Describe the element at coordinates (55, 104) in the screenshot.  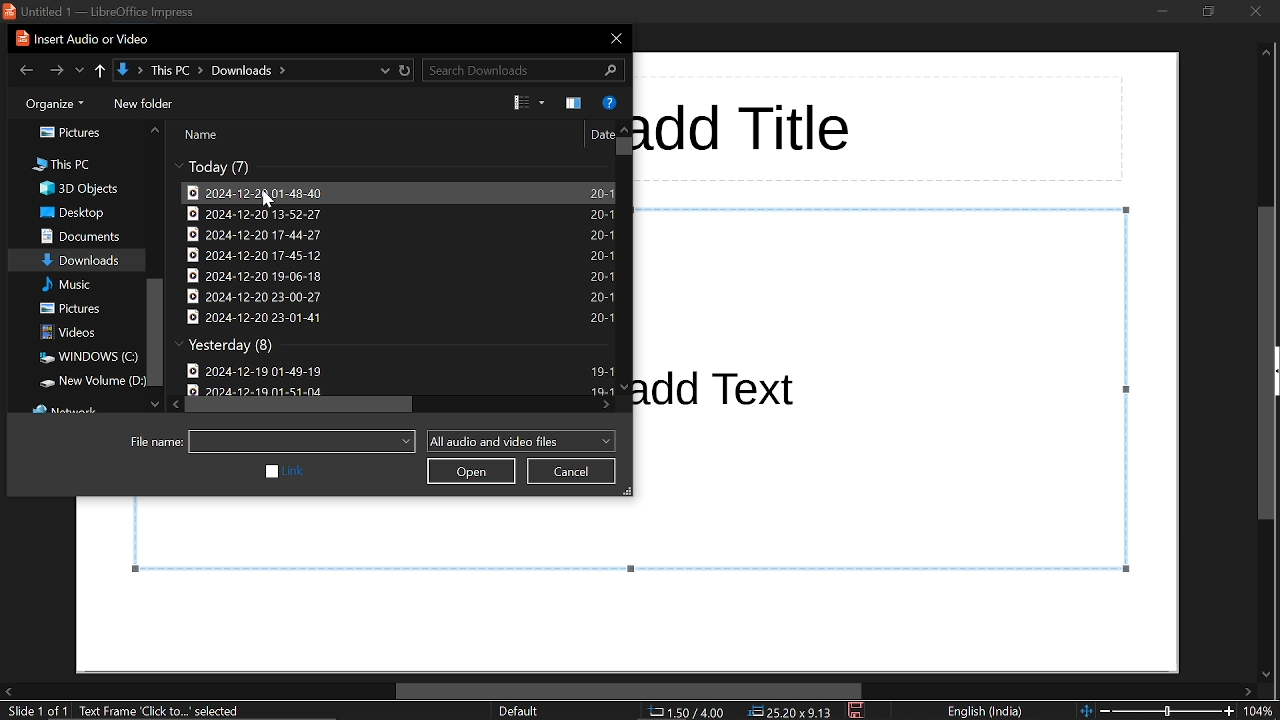
I see `organize ` at that location.